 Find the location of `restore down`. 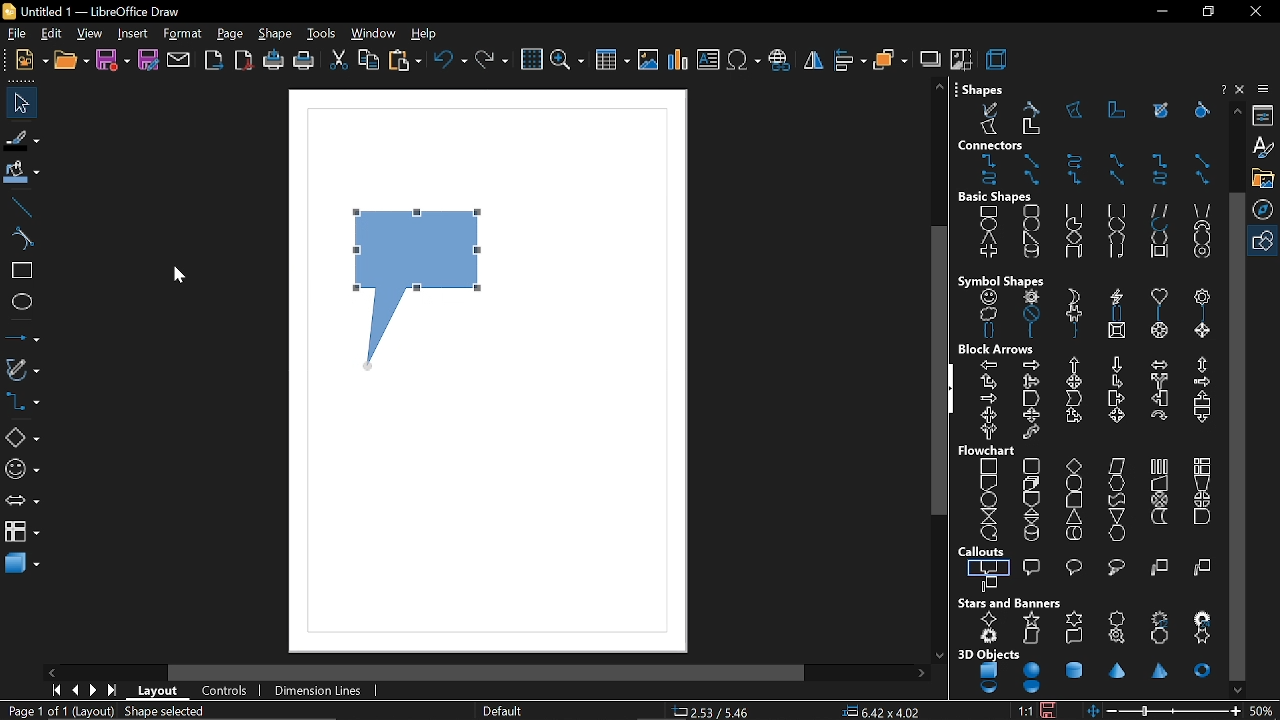

restore down is located at coordinates (1206, 12).